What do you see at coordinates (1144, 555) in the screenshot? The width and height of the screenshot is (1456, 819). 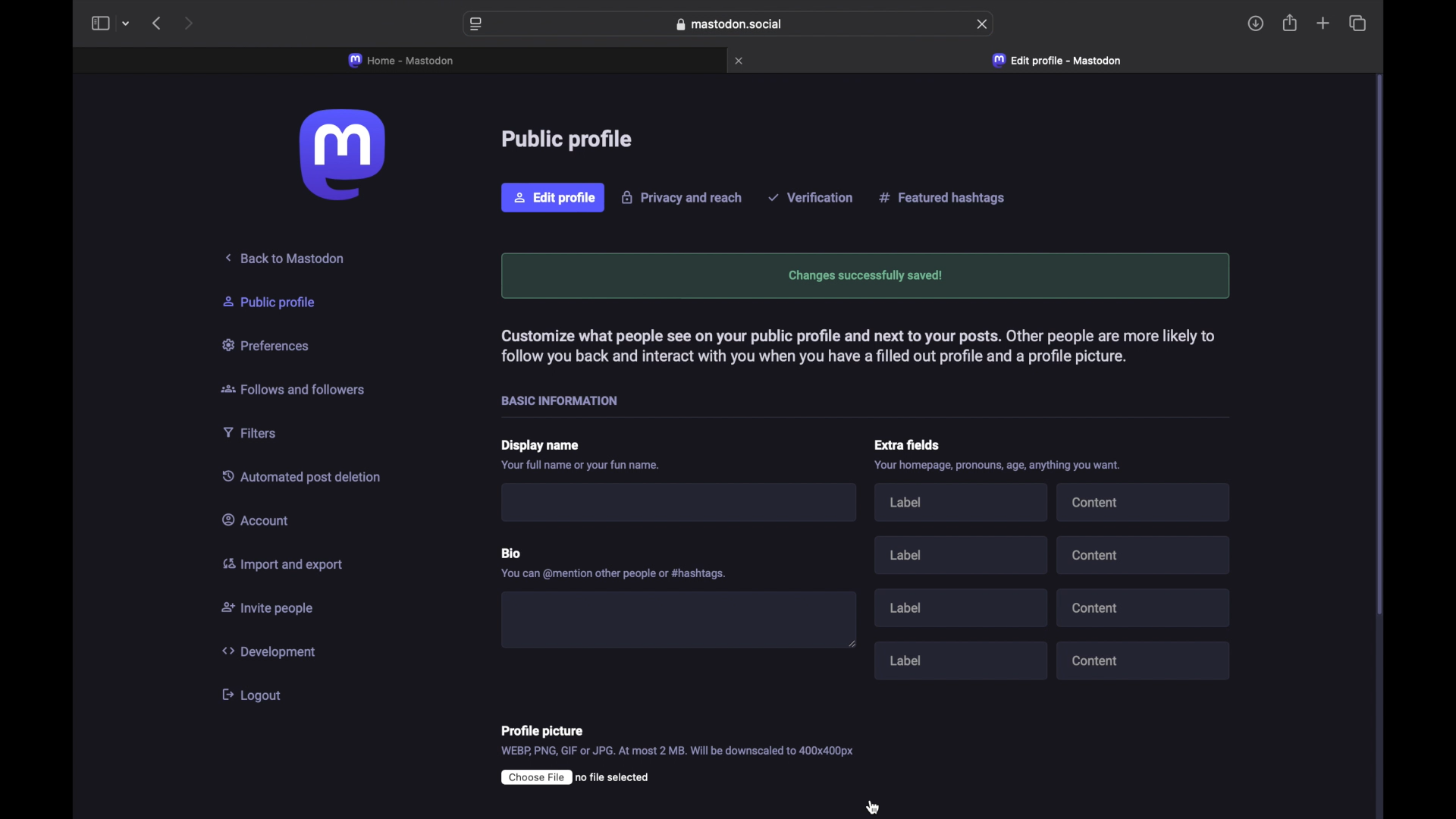 I see `content` at bounding box center [1144, 555].